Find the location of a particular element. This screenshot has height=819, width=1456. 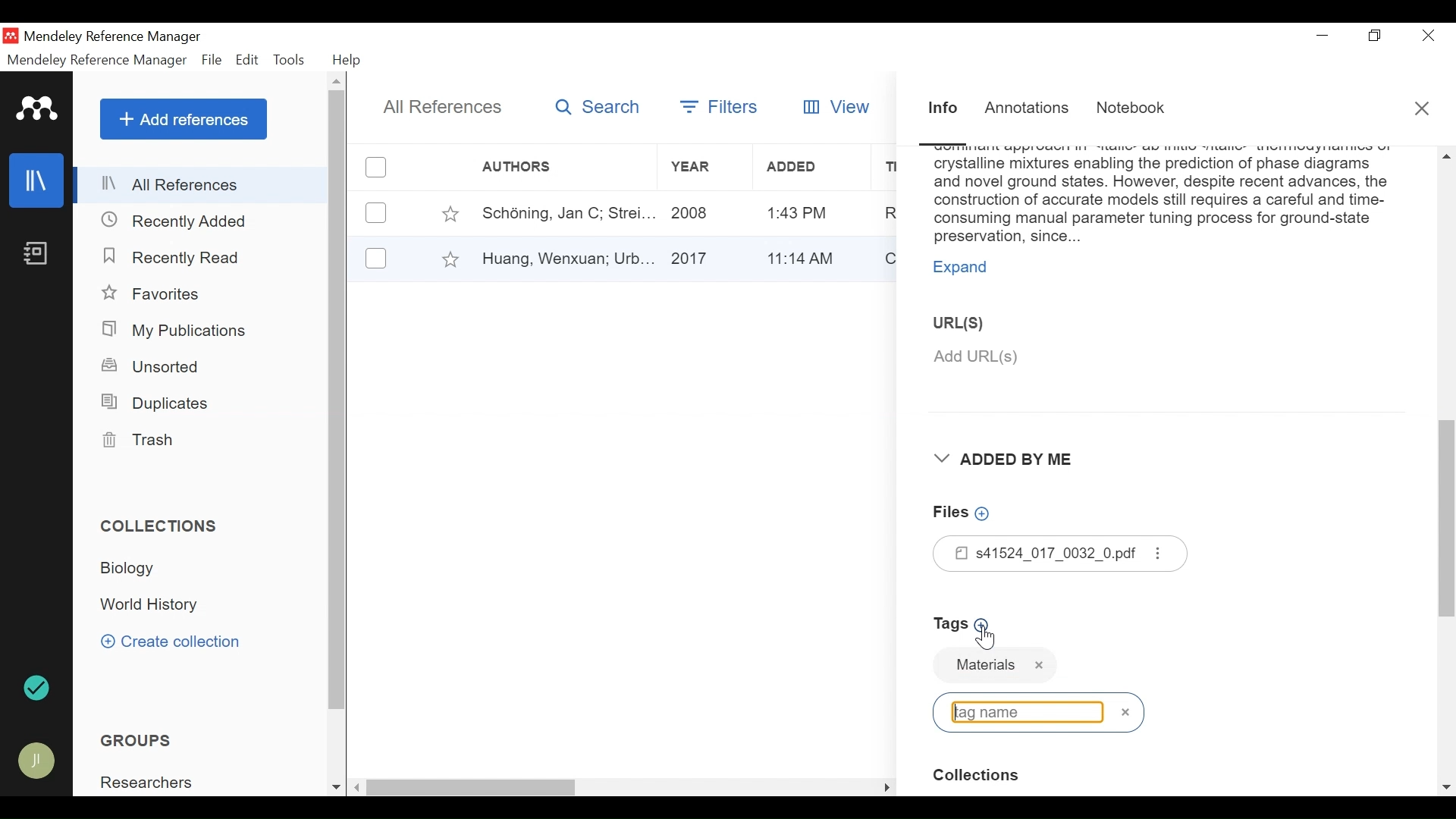

Mendeley Desktop Icon is located at coordinates (10, 36).